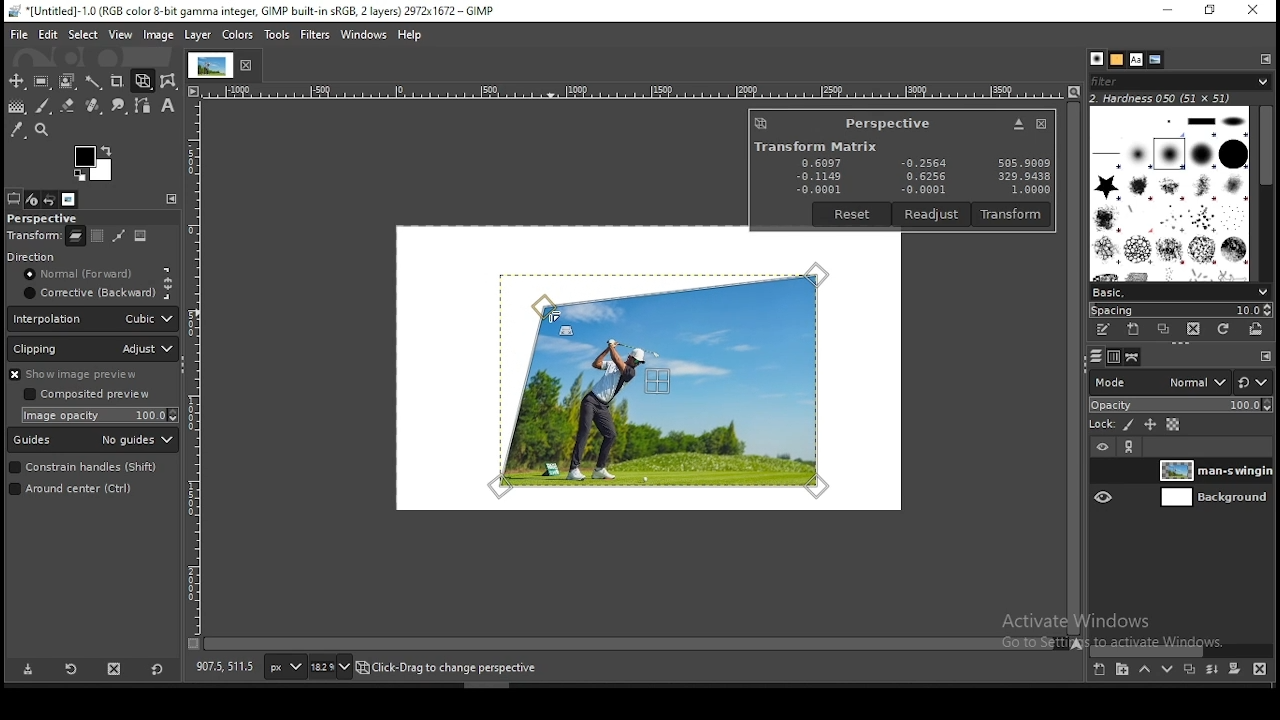 This screenshot has height=720, width=1280. Describe the element at coordinates (97, 236) in the screenshot. I see `move layer` at that location.